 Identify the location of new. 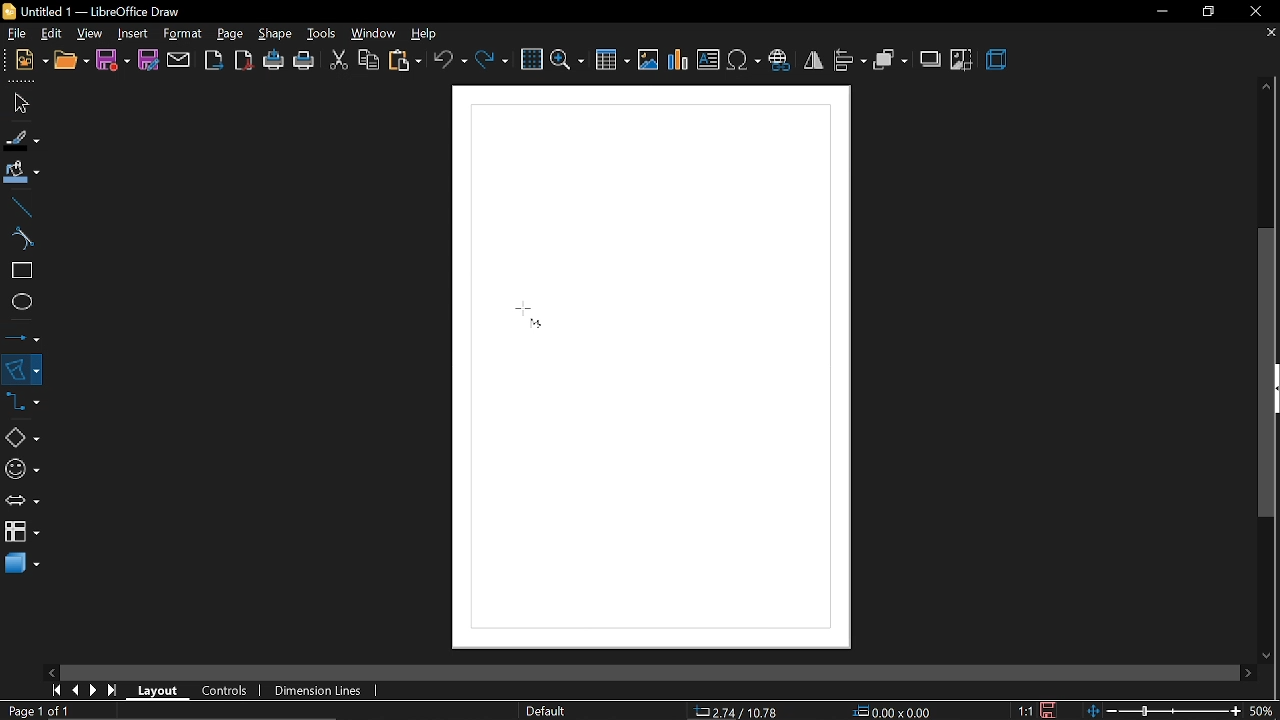
(32, 60).